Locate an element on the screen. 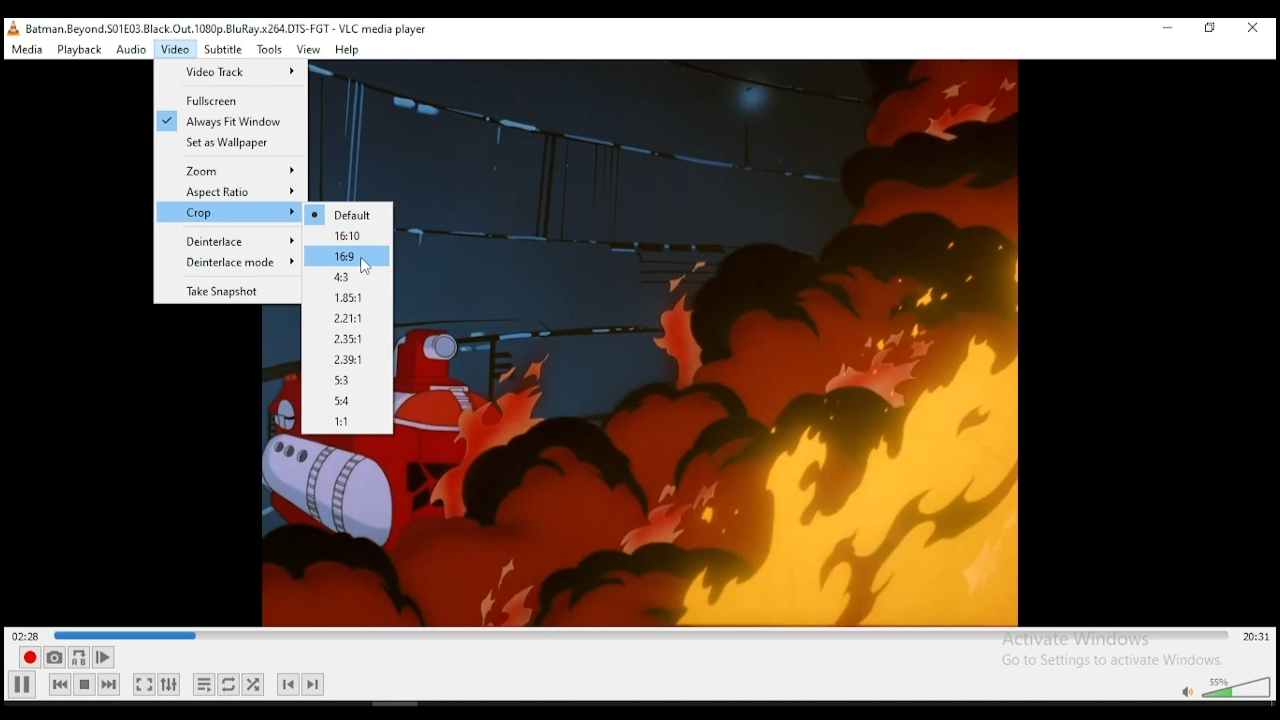  16.10 is located at coordinates (348, 236).